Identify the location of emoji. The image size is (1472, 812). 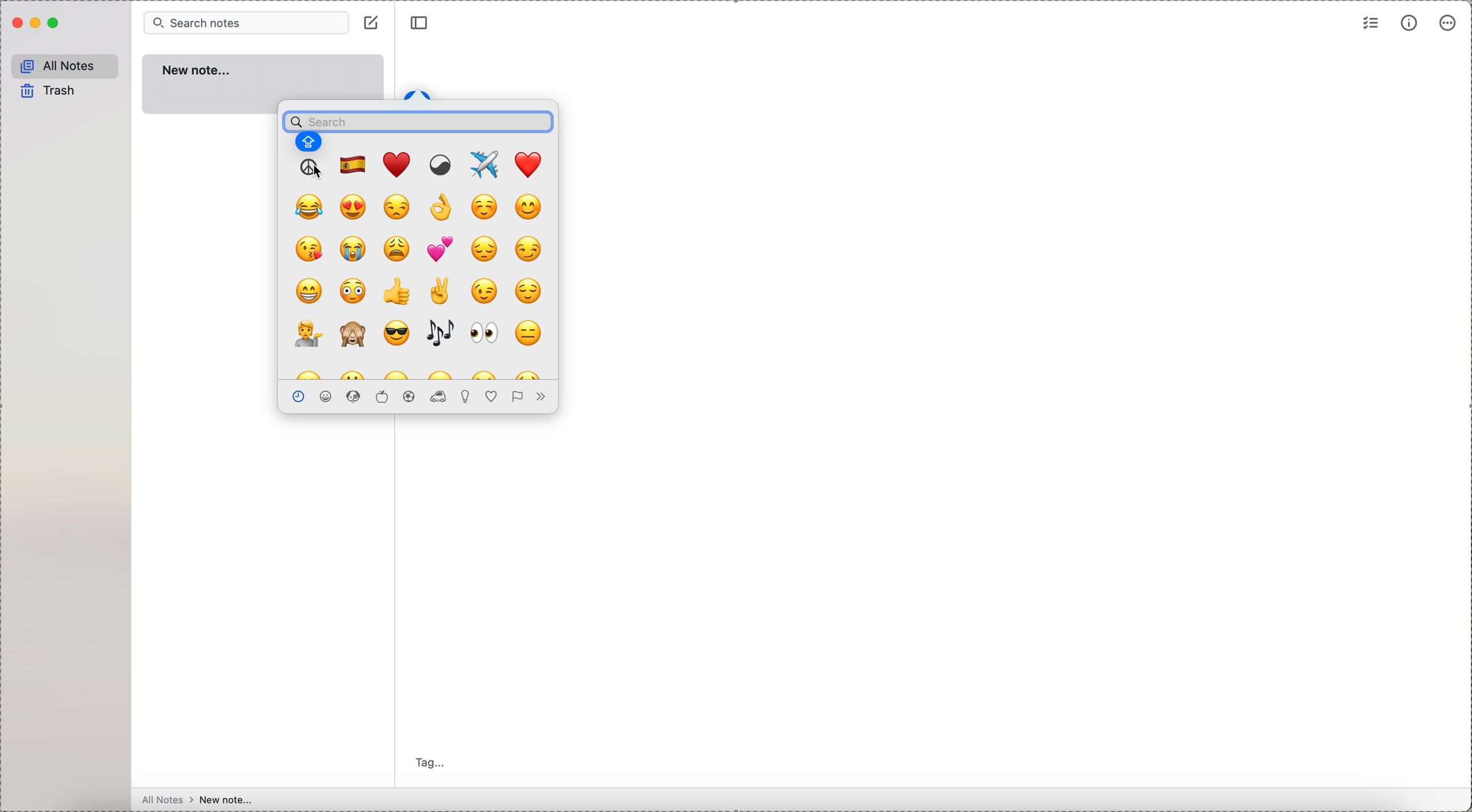
(398, 374).